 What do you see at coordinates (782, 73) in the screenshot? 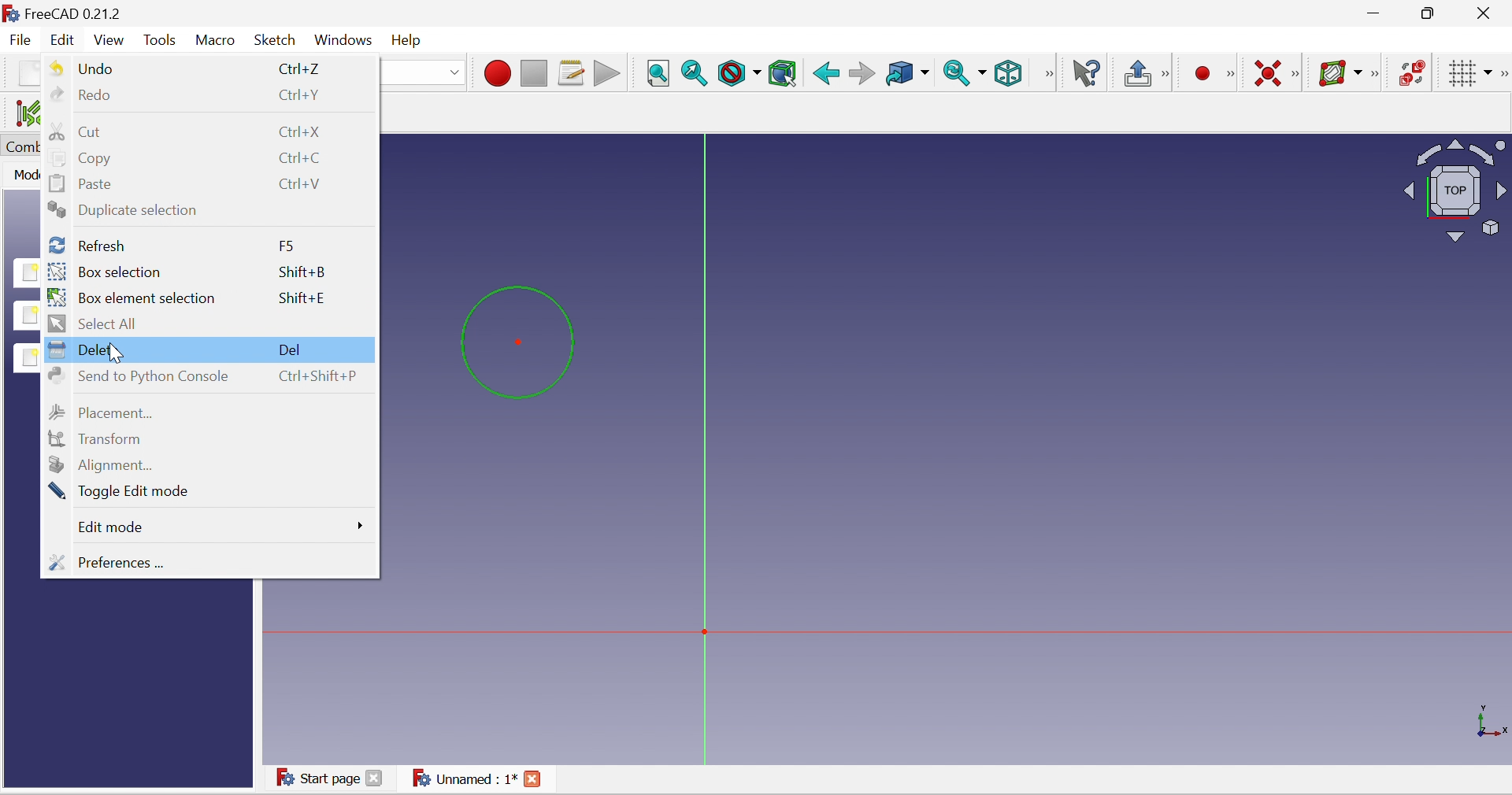
I see `Bounding box` at bounding box center [782, 73].